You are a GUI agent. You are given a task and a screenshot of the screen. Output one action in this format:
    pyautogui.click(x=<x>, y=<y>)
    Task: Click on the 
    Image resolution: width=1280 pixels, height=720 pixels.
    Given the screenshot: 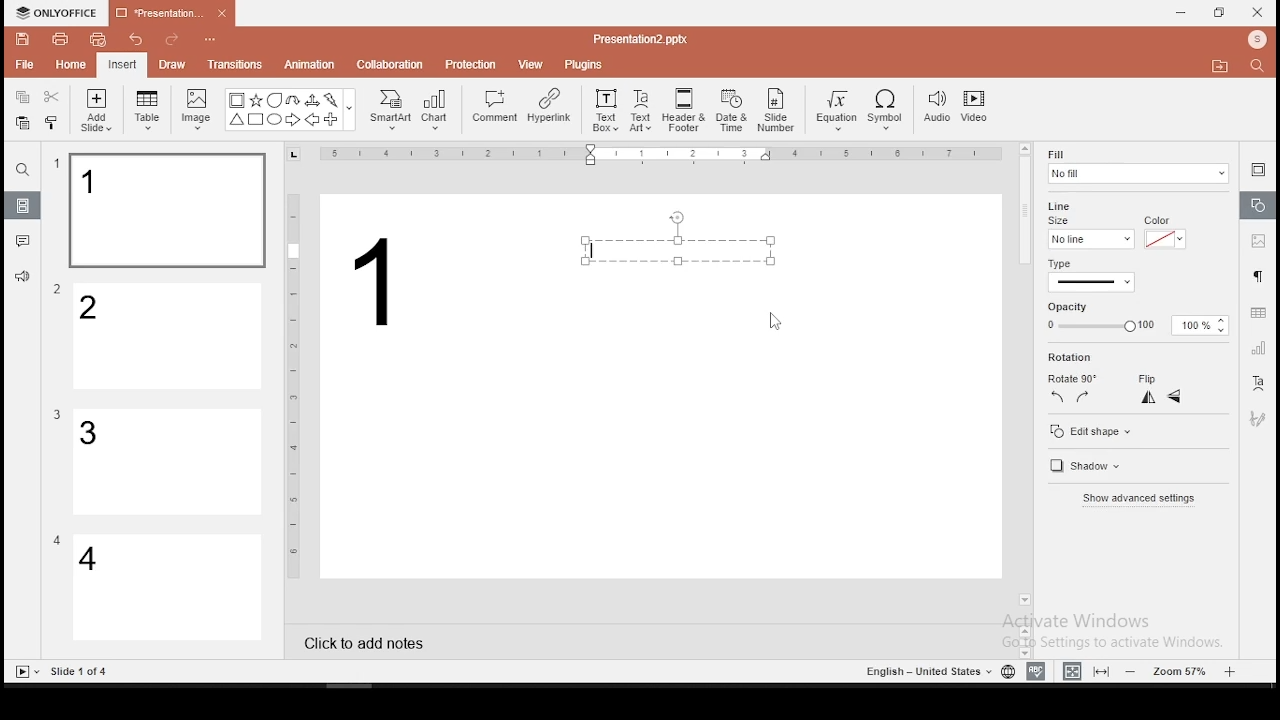 What is the action you would take?
    pyautogui.click(x=81, y=672)
    